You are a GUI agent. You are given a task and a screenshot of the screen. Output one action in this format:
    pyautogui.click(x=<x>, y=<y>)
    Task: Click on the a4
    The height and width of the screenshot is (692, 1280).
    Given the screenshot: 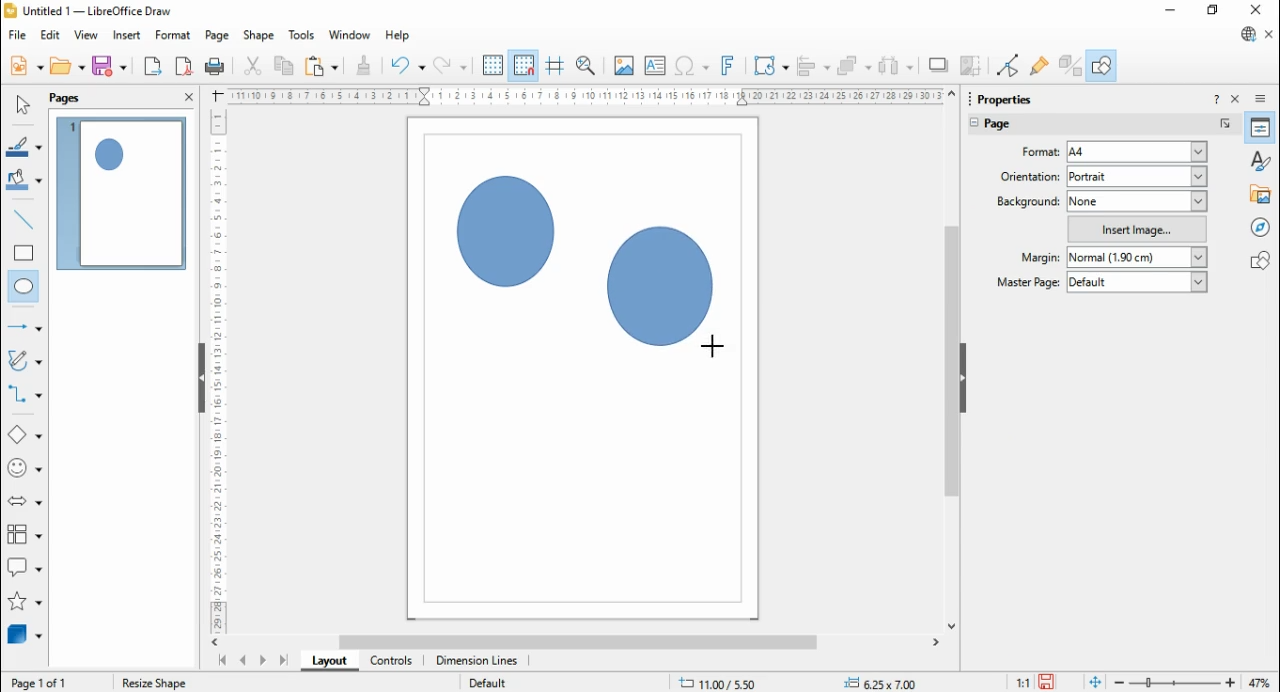 What is the action you would take?
    pyautogui.click(x=1136, y=152)
    